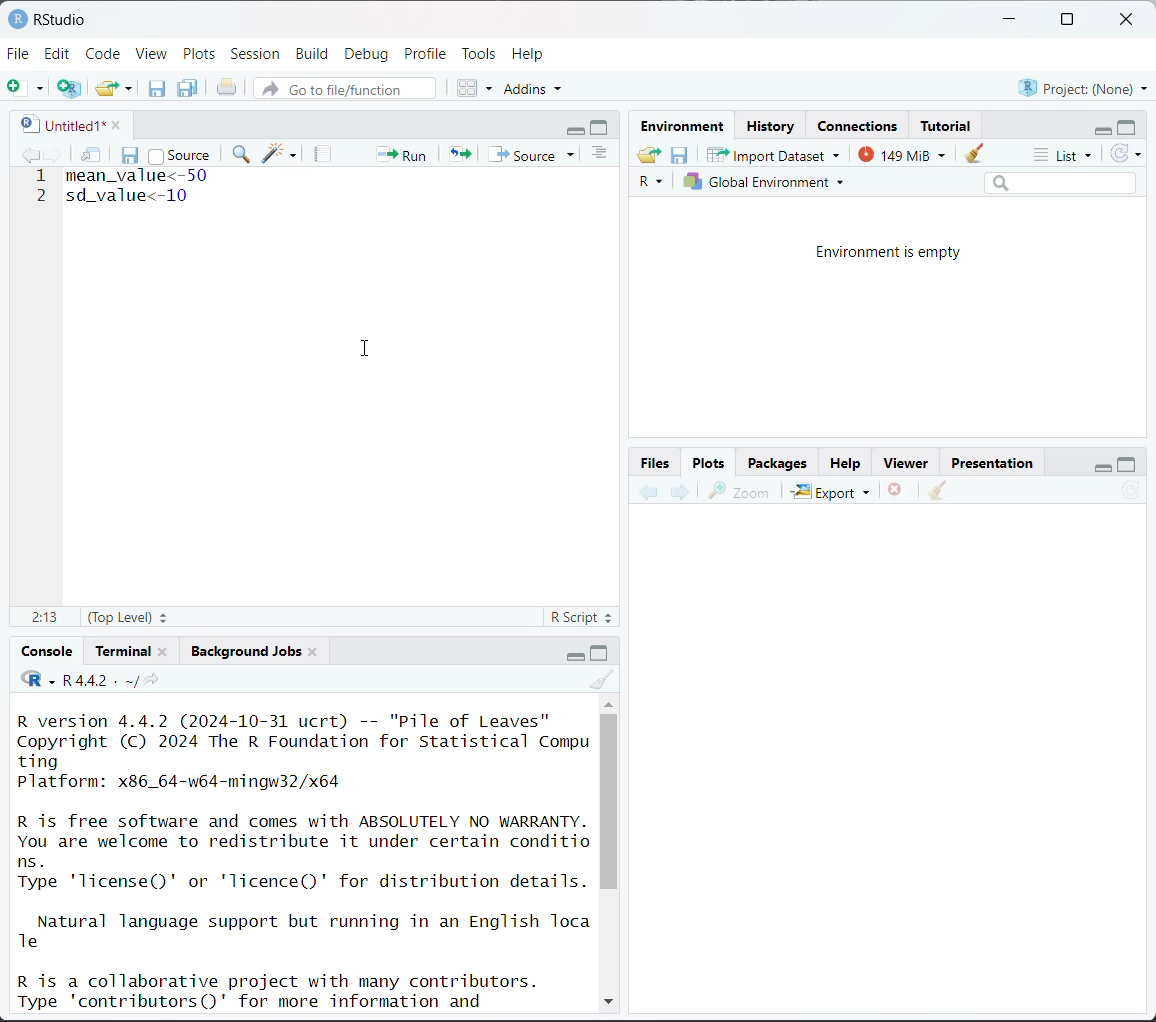  Describe the element at coordinates (1066, 156) in the screenshot. I see `list` at that location.